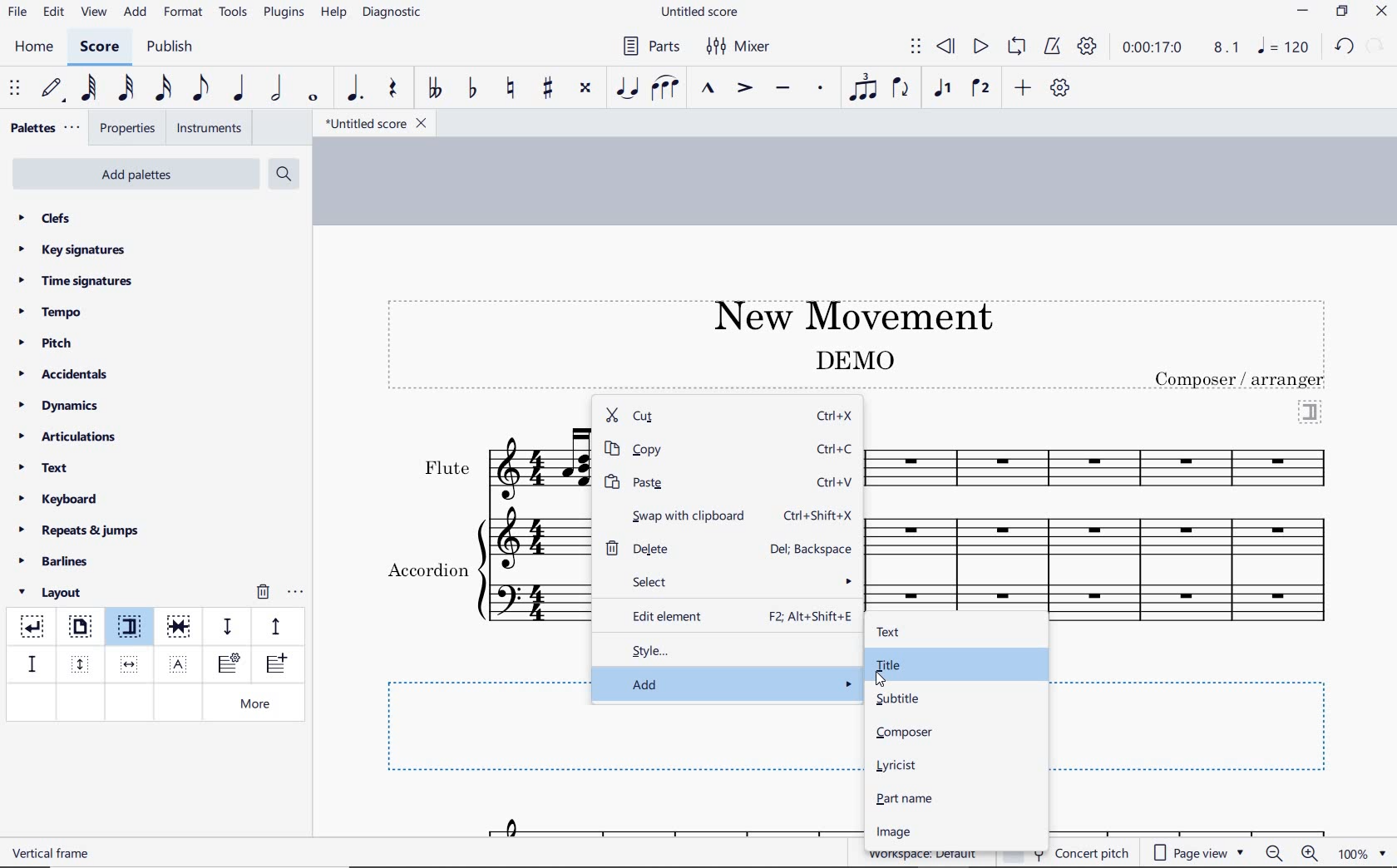  I want to click on file, so click(17, 15).